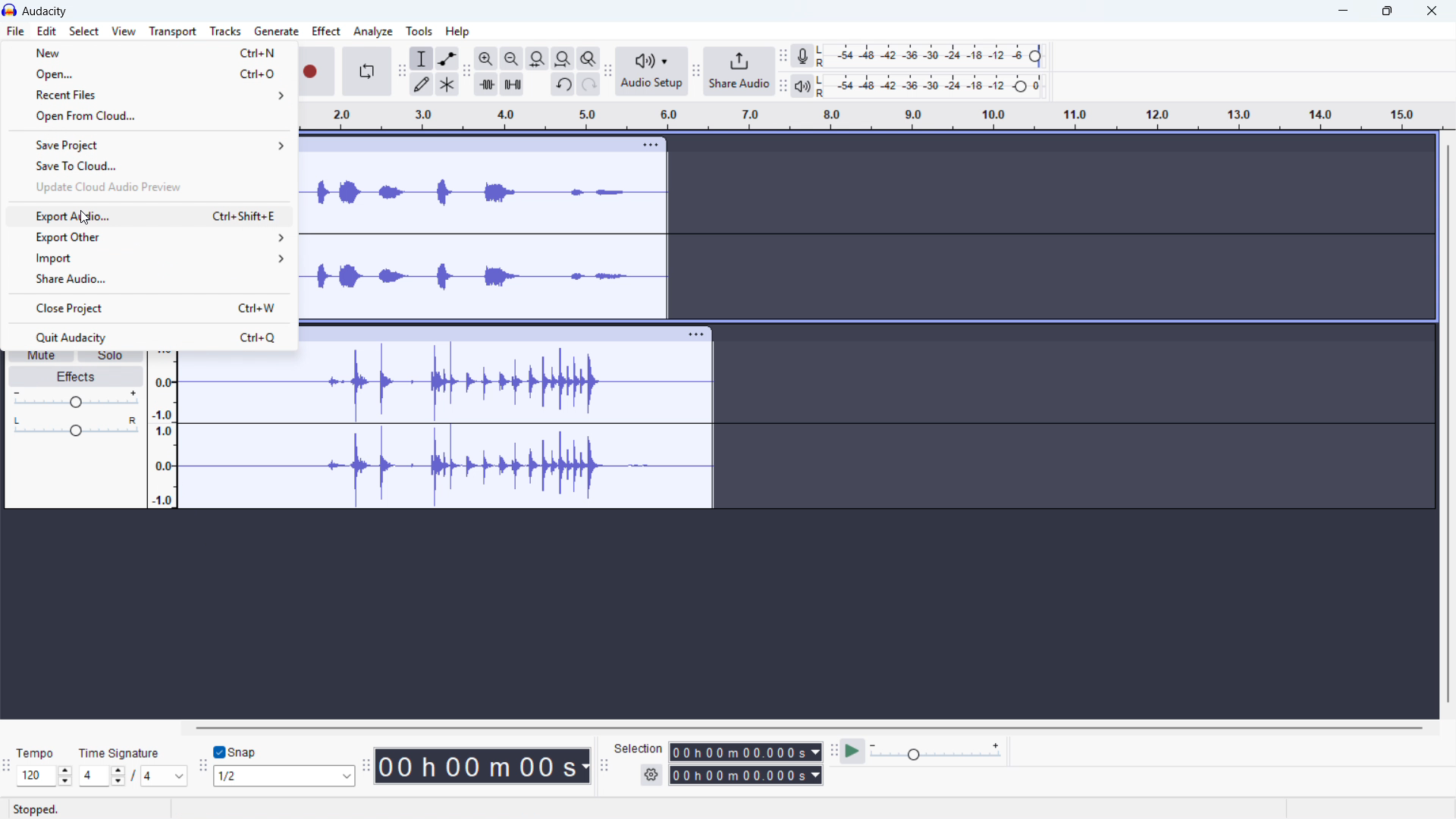 This screenshot has height=819, width=1456. I want to click on Export audio , so click(149, 217).